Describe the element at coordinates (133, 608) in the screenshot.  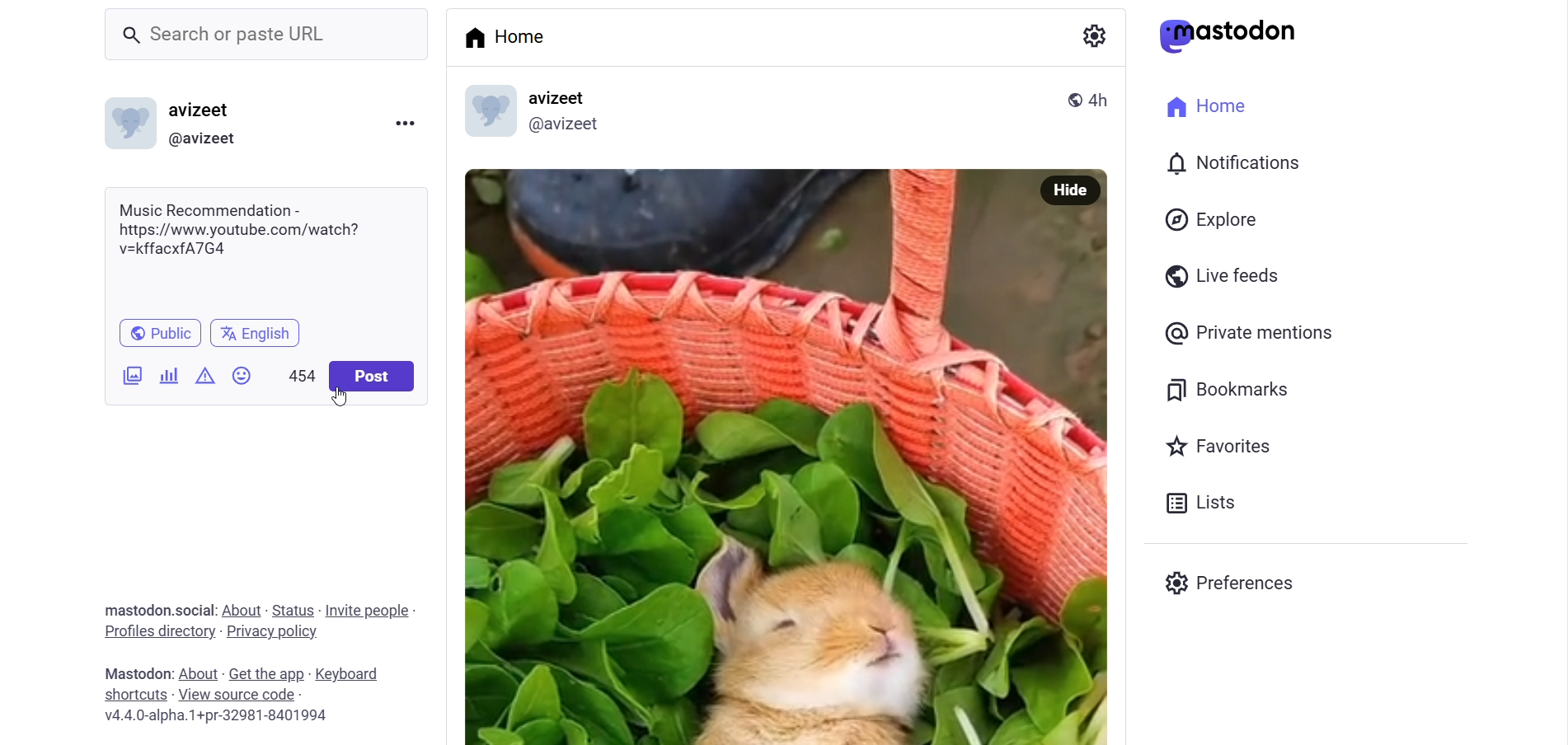
I see `mastodon` at that location.